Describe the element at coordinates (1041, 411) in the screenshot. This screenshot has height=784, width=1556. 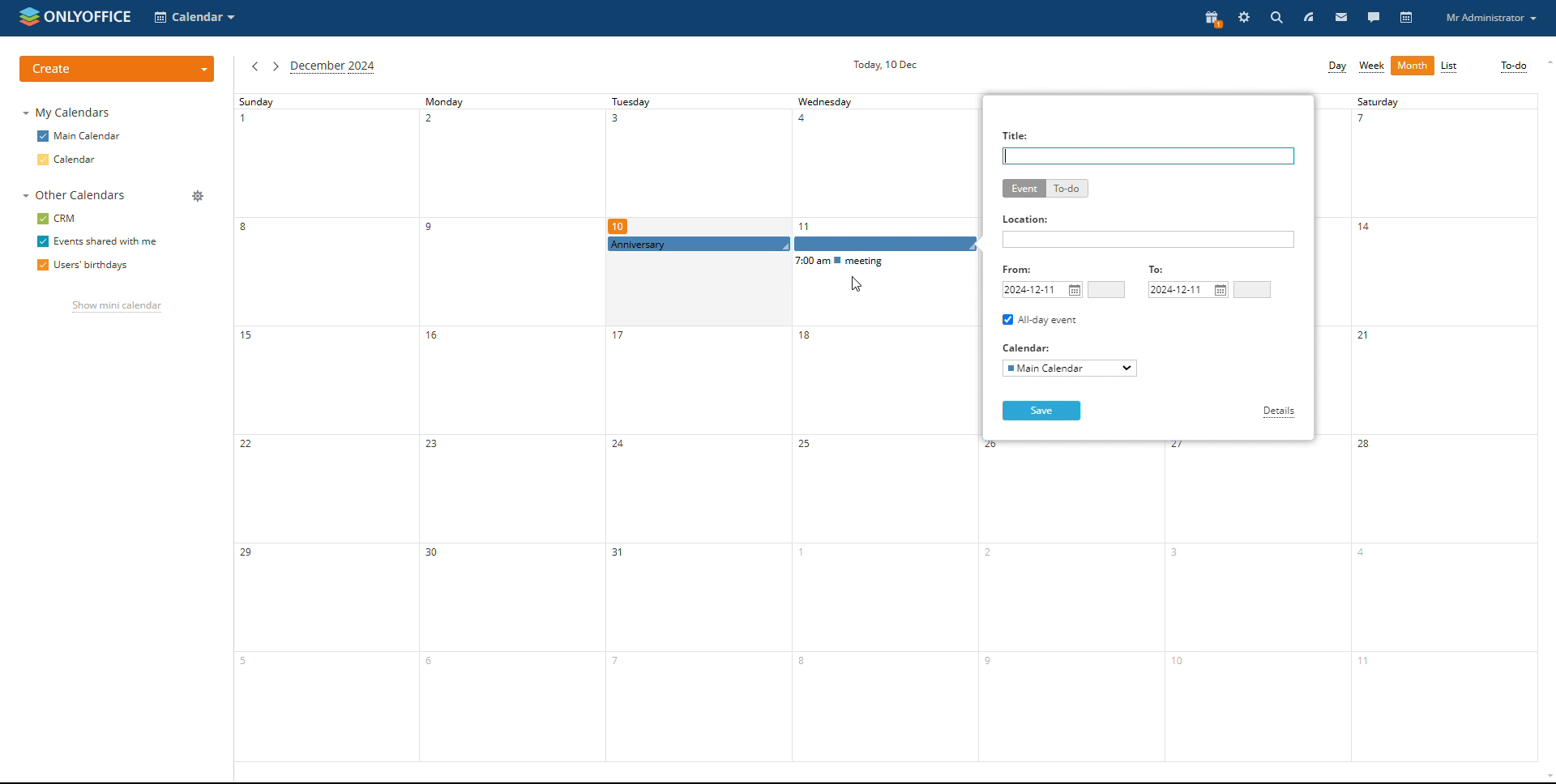
I see `save` at that location.